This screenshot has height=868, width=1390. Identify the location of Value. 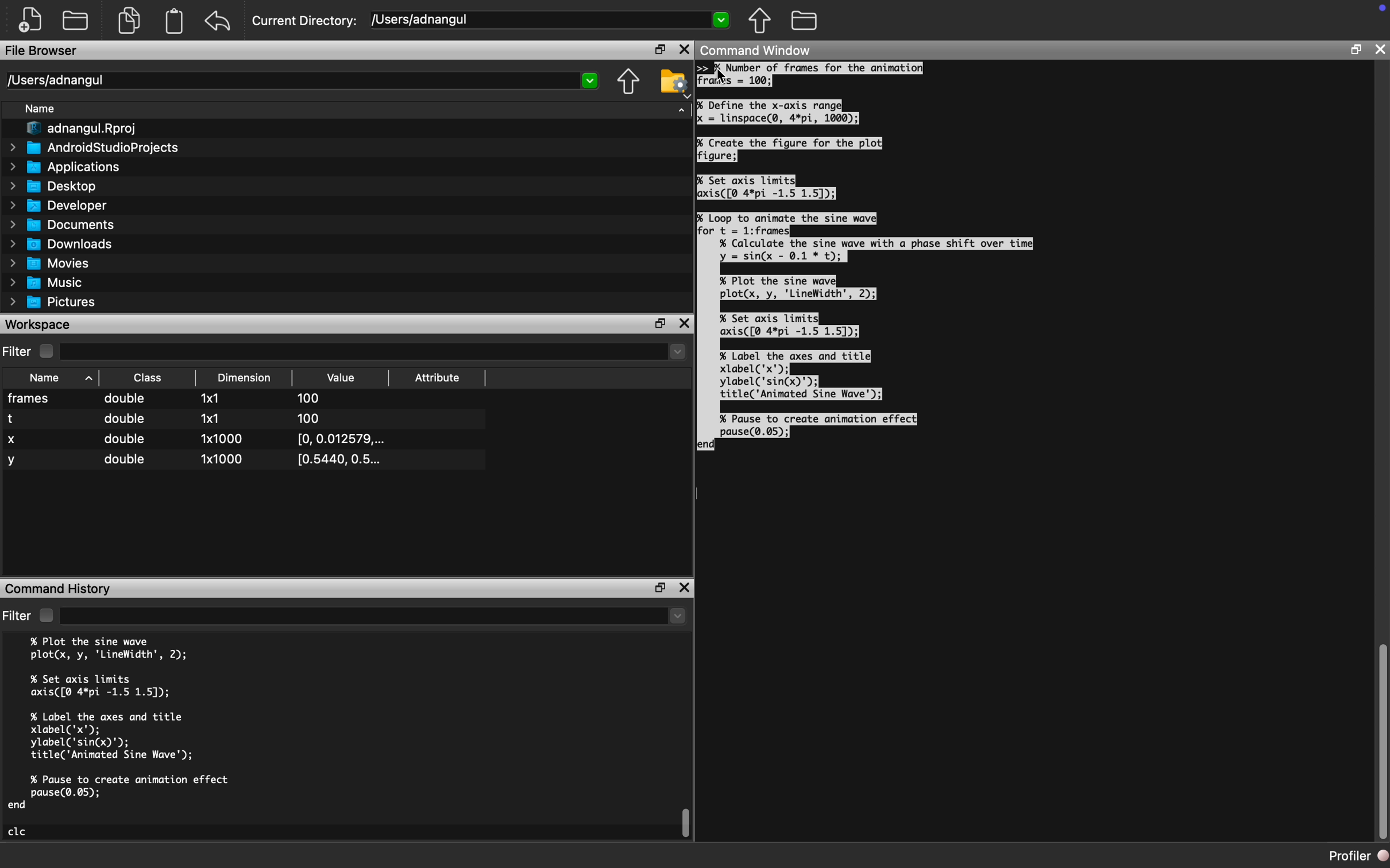
(341, 378).